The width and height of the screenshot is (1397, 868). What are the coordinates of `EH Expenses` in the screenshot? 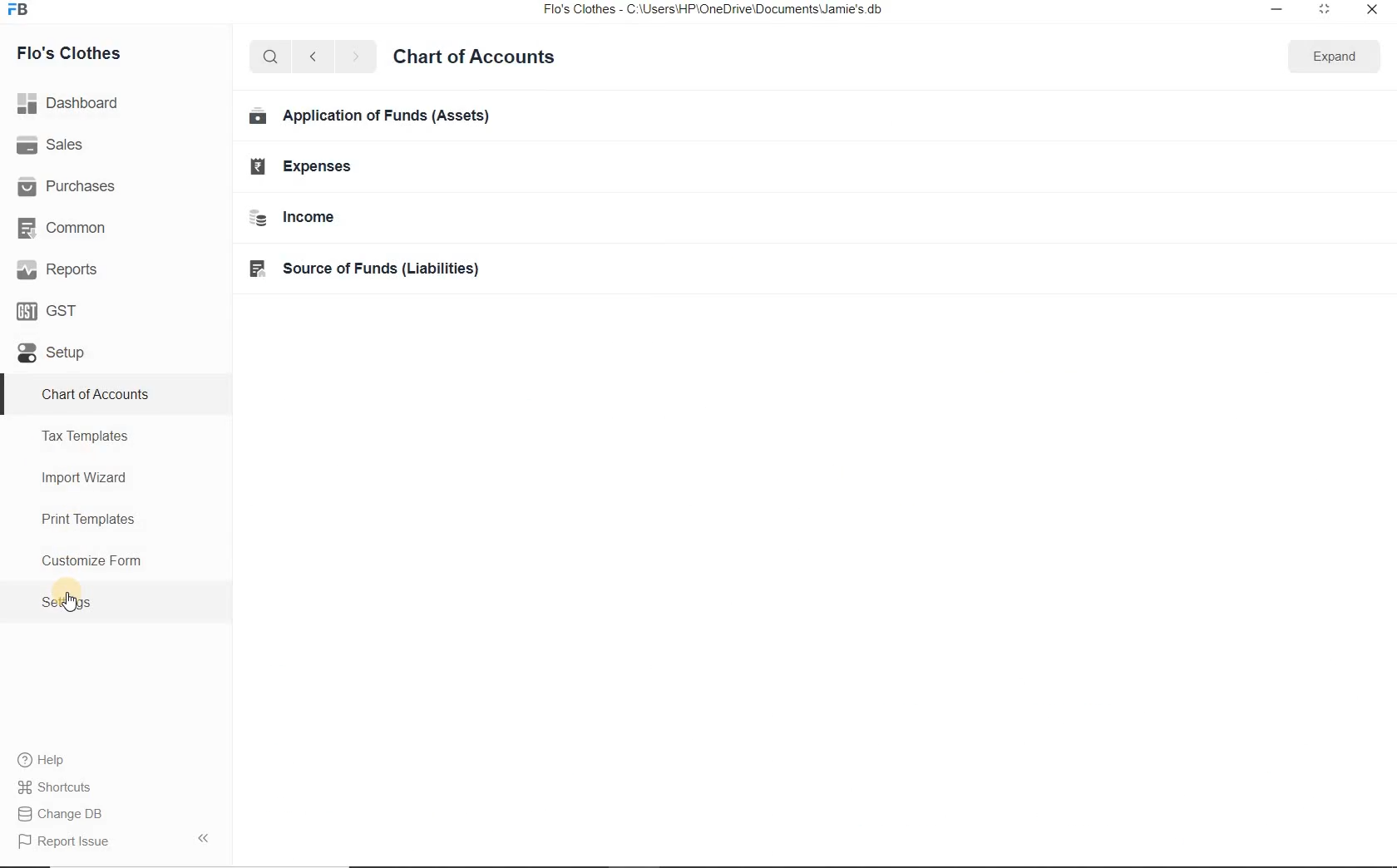 It's located at (299, 165).